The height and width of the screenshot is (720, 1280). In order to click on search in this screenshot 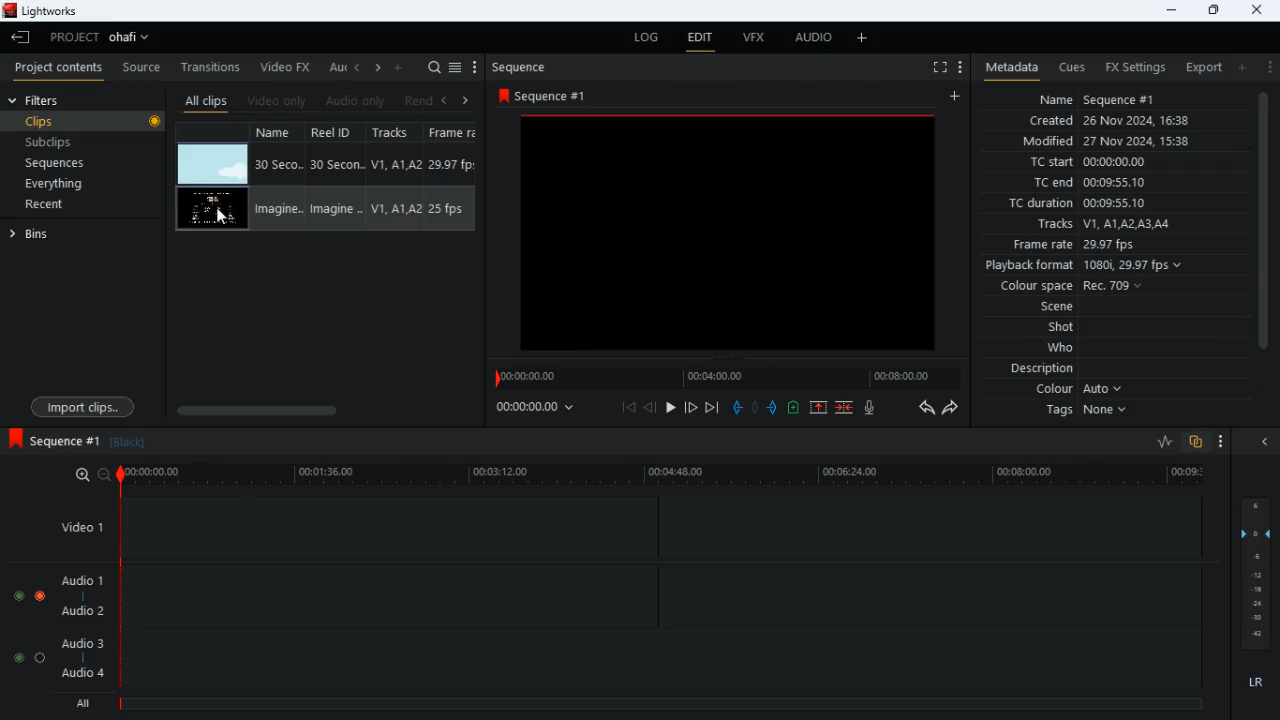, I will do `click(435, 65)`.